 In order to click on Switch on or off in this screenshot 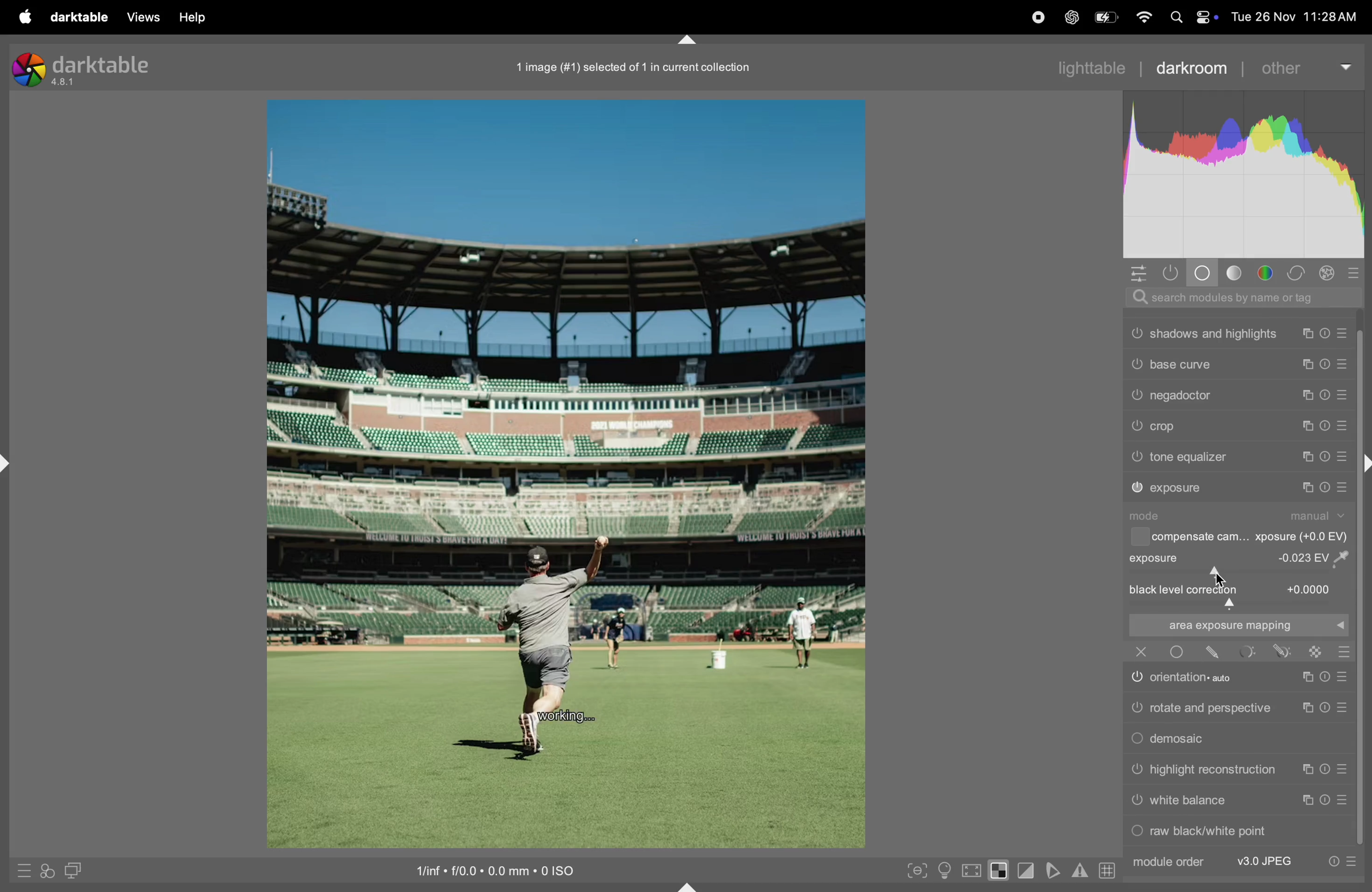, I will do `click(1176, 652)`.